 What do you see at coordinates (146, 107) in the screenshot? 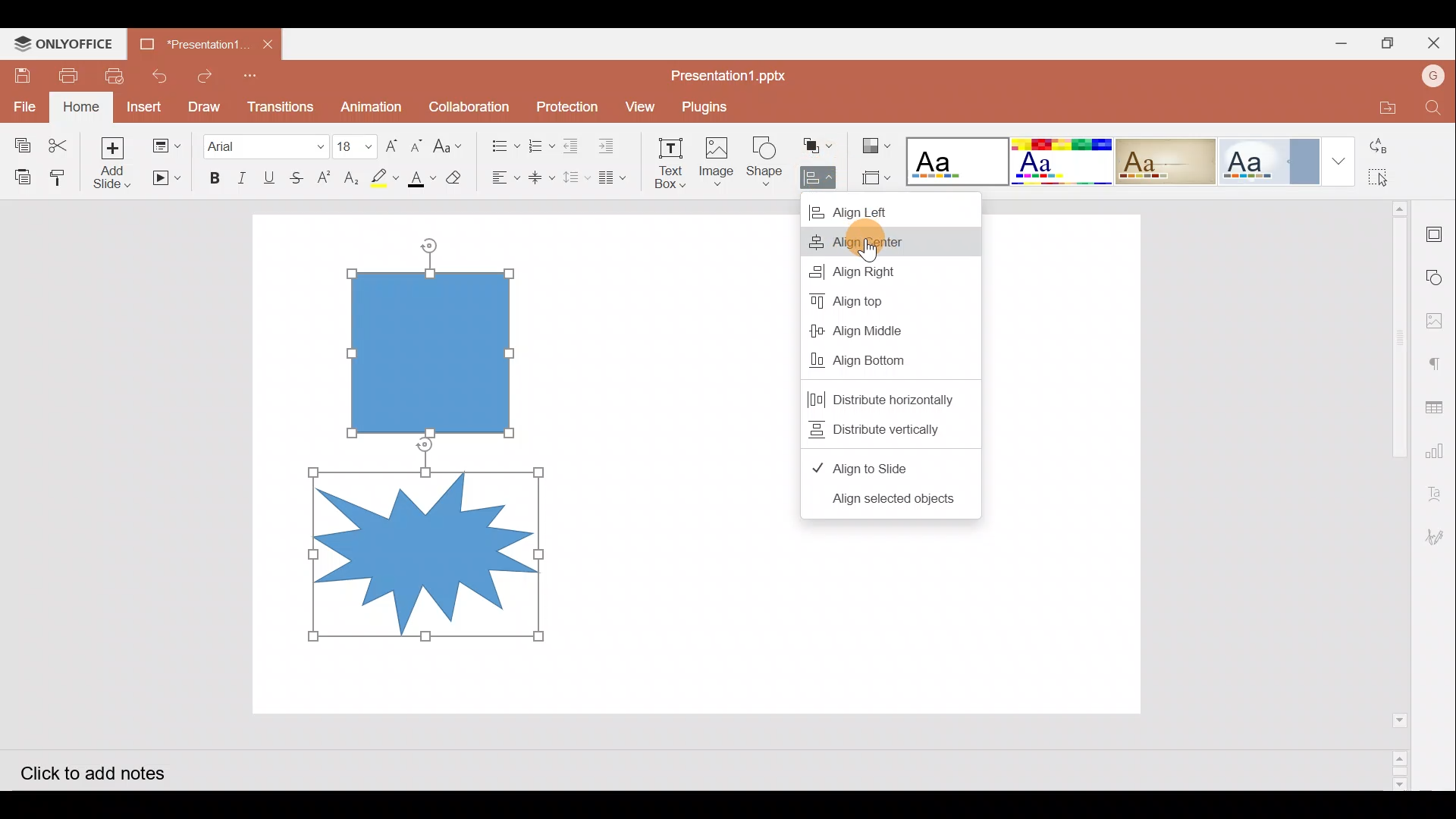
I see `Insert` at bounding box center [146, 107].